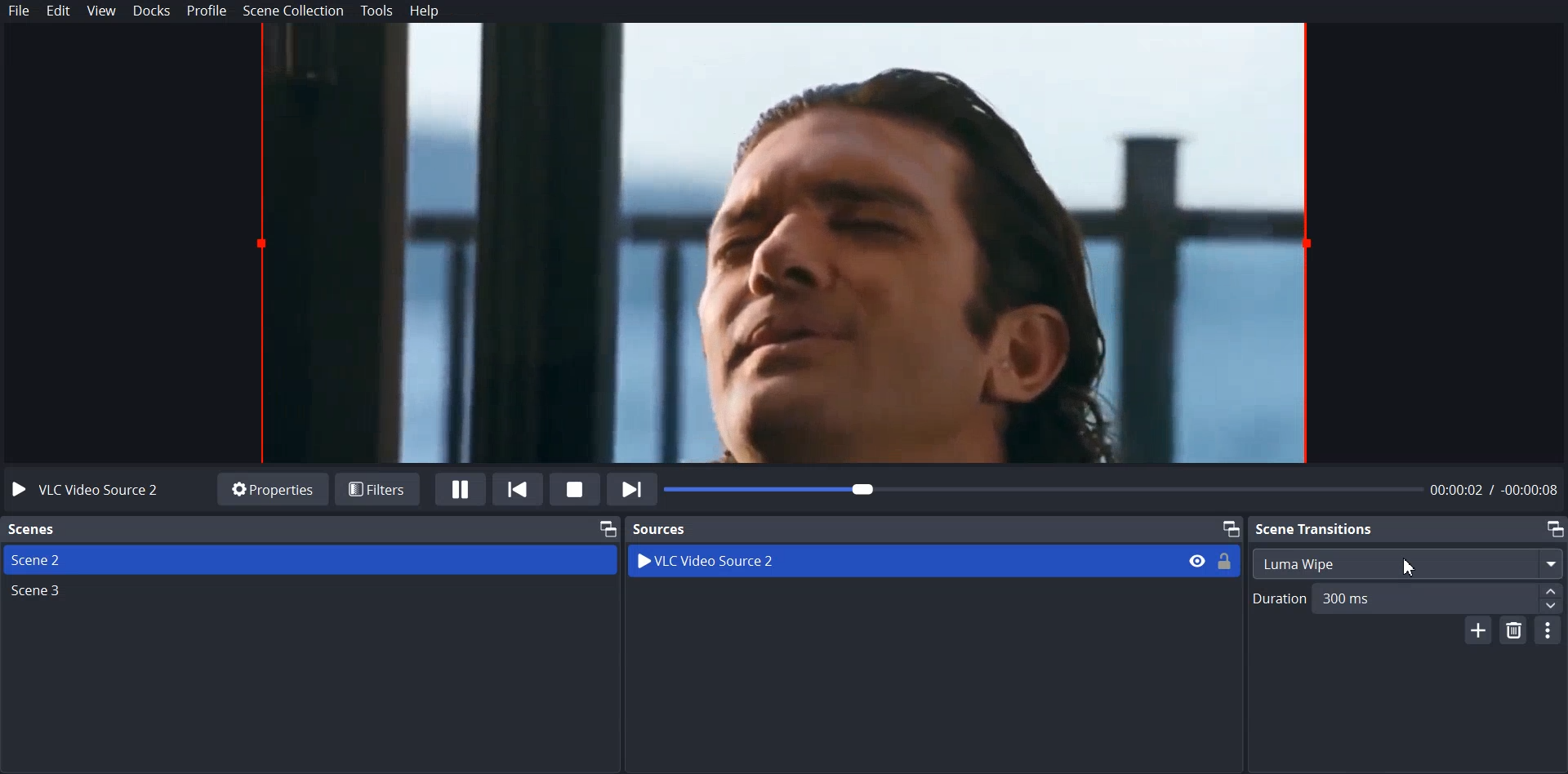 This screenshot has width=1568, height=774. What do you see at coordinates (1477, 630) in the screenshot?
I see `Add file` at bounding box center [1477, 630].